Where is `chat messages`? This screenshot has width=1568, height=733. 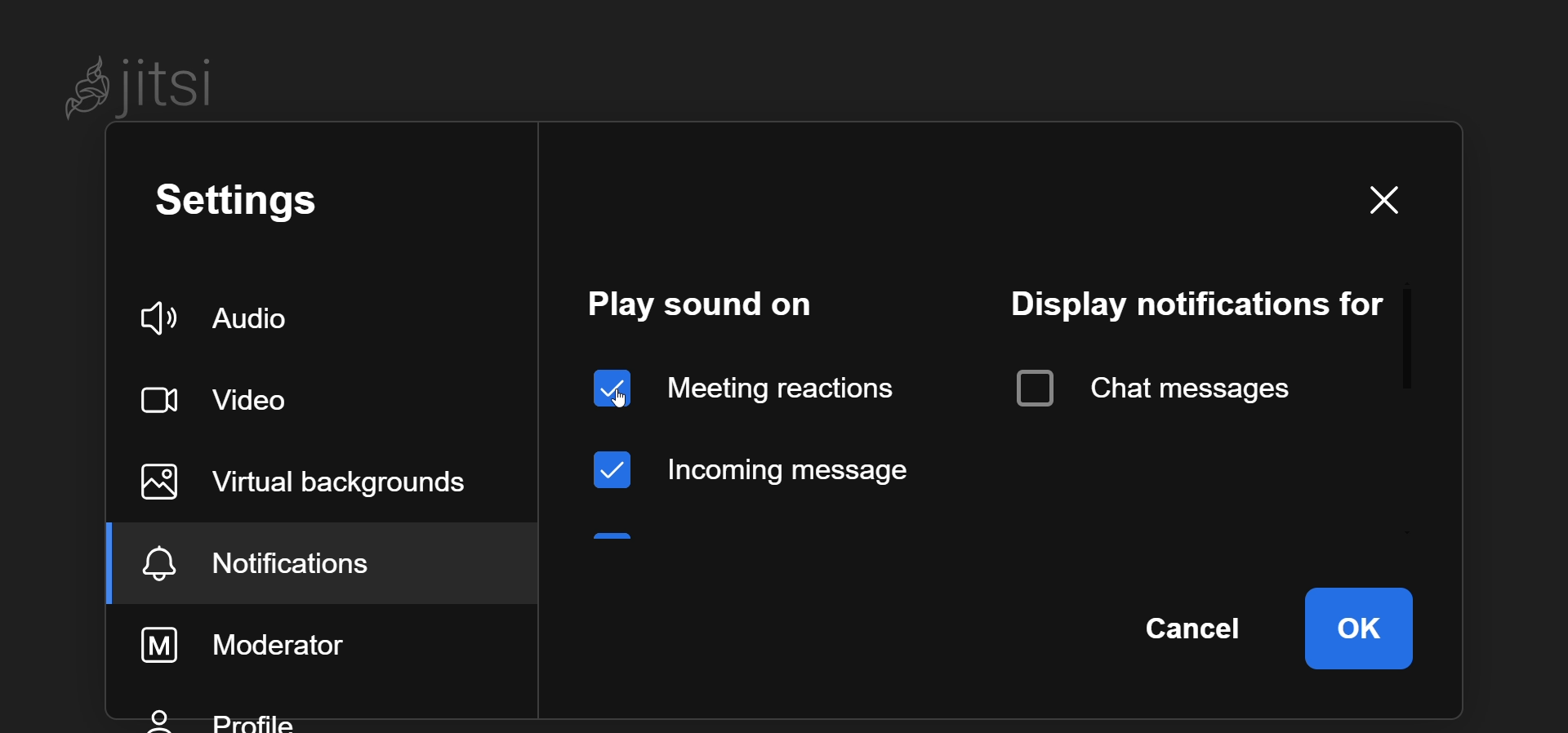 chat messages is located at coordinates (1160, 386).